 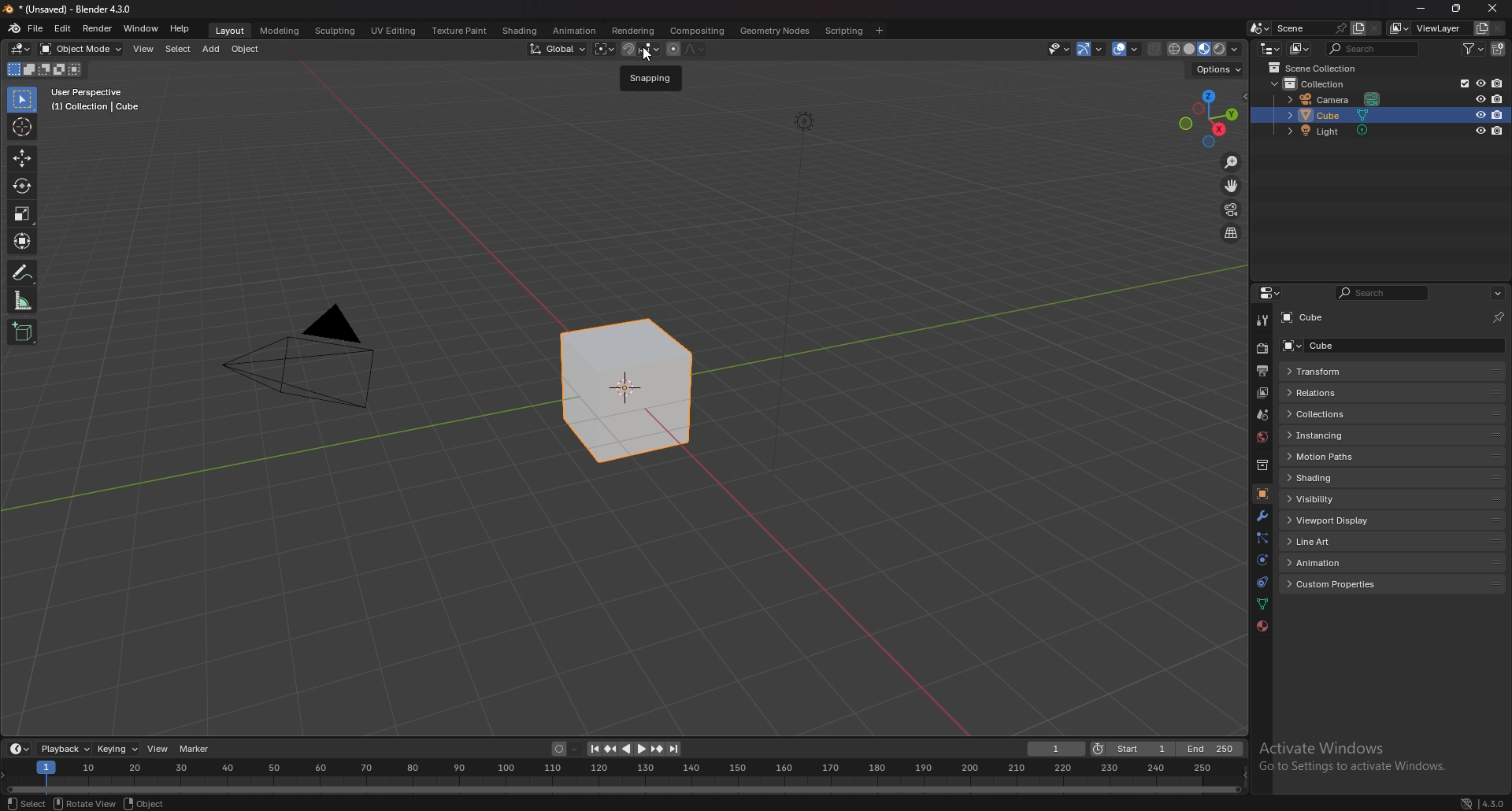 I want to click on motion paths, so click(x=1336, y=457).